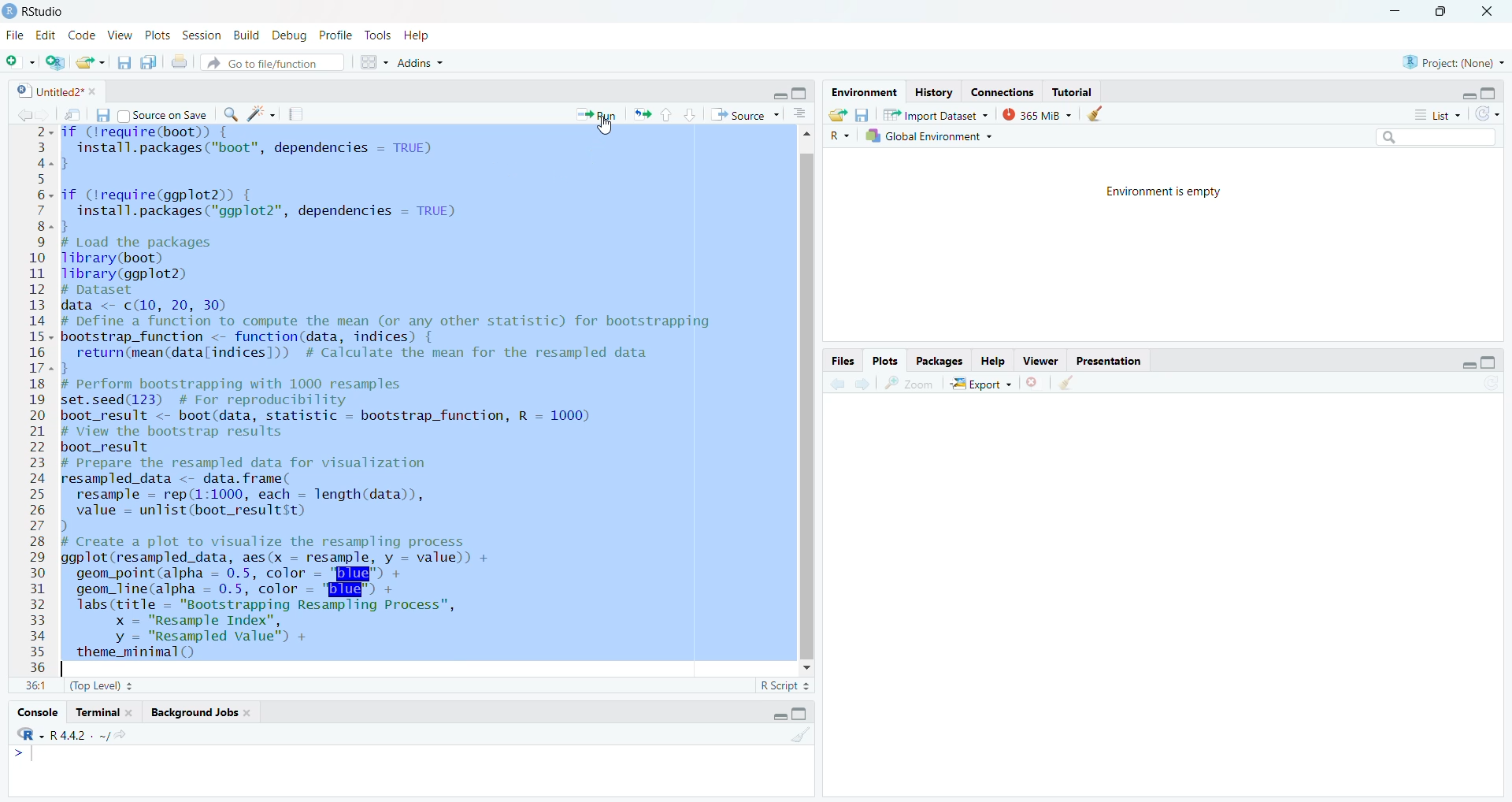 The height and width of the screenshot is (802, 1512). Describe the element at coordinates (840, 359) in the screenshot. I see `Files` at that location.